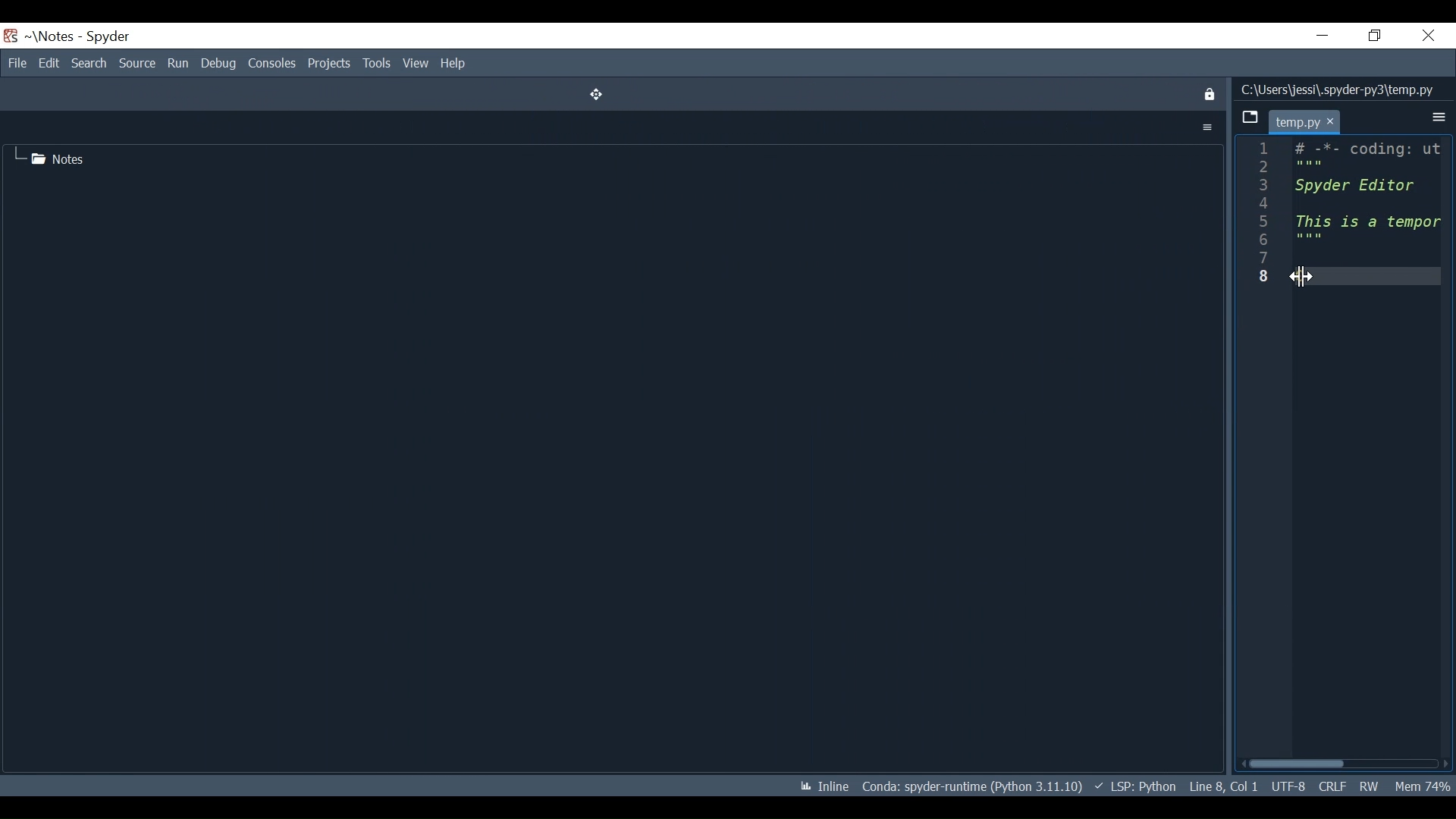 This screenshot has width=1456, height=819. What do you see at coordinates (1426, 36) in the screenshot?
I see `Close` at bounding box center [1426, 36].